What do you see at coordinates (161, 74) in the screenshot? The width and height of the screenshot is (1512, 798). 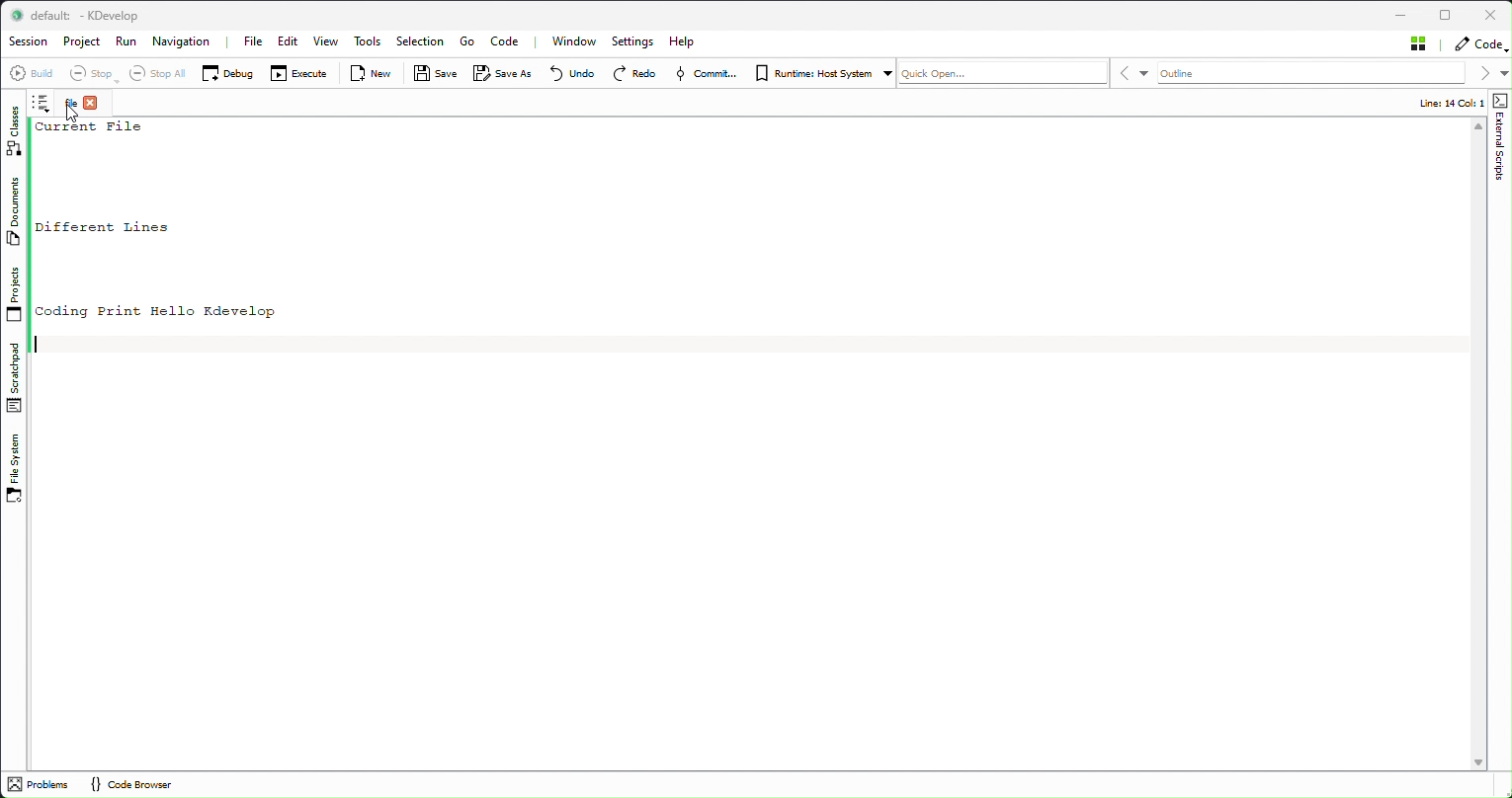 I see `Select all` at bounding box center [161, 74].